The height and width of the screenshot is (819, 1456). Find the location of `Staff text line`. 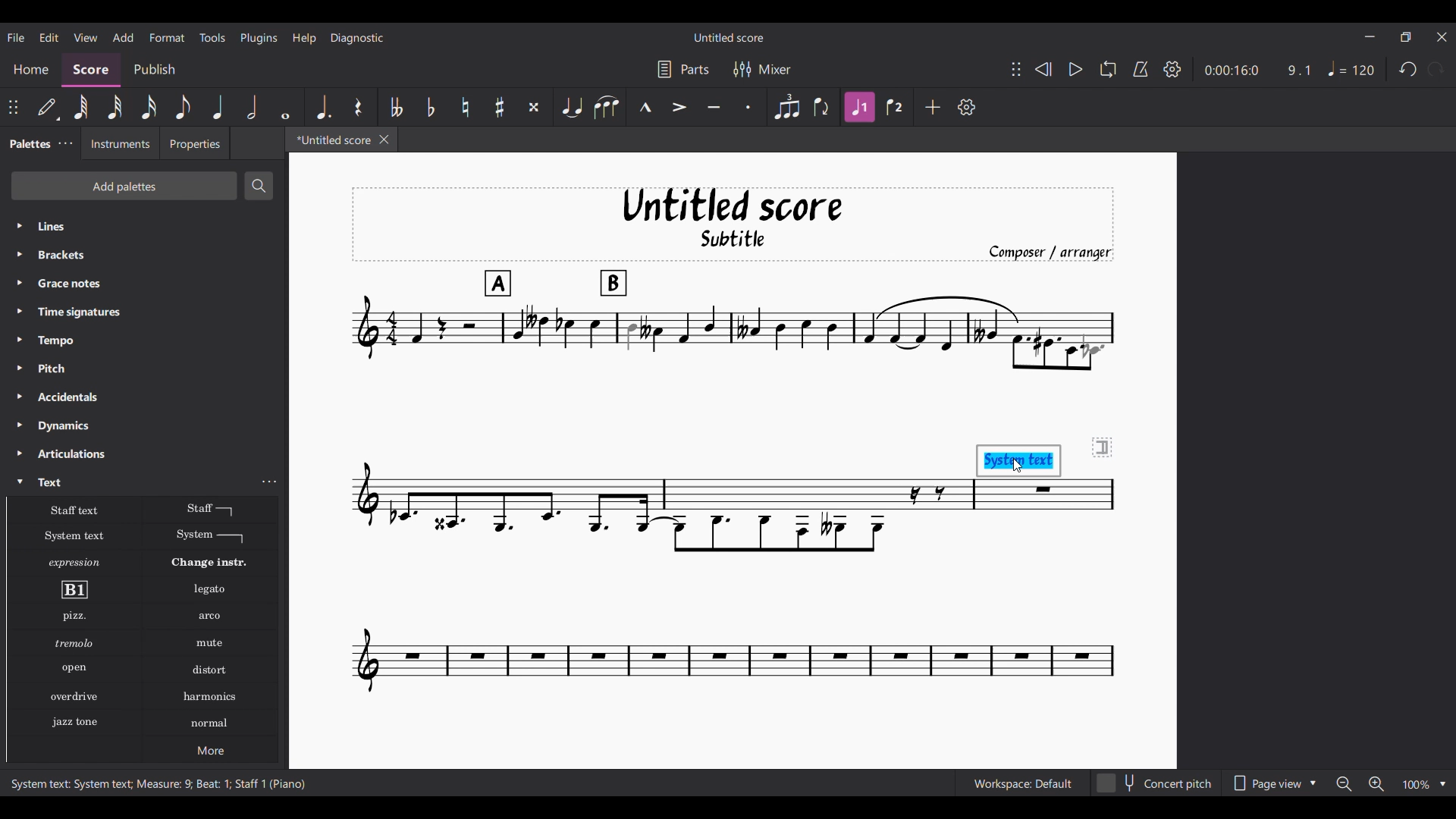

Staff text line is located at coordinates (211, 509).